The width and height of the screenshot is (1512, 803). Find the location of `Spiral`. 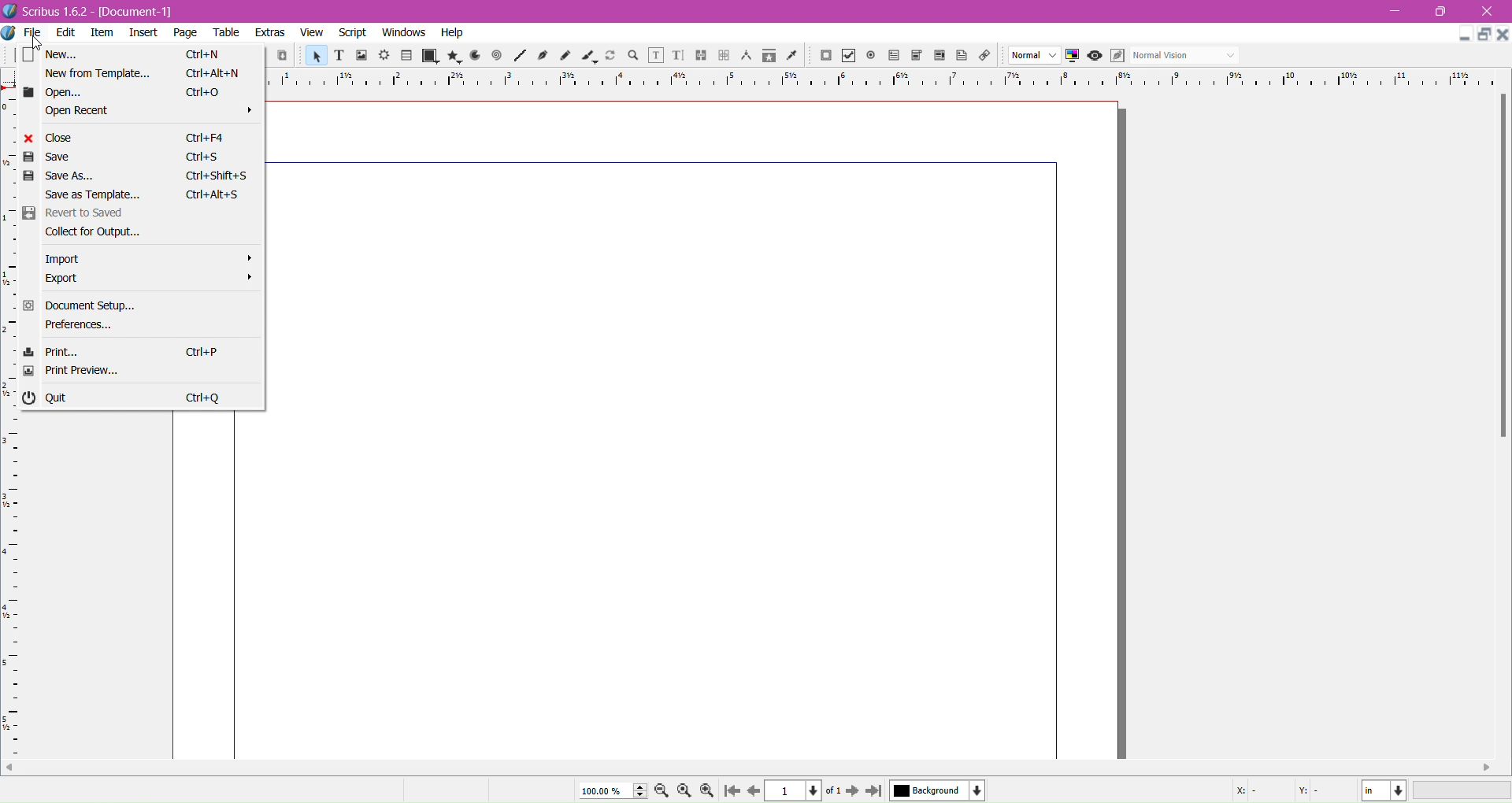

Spiral is located at coordinates (496, 57).